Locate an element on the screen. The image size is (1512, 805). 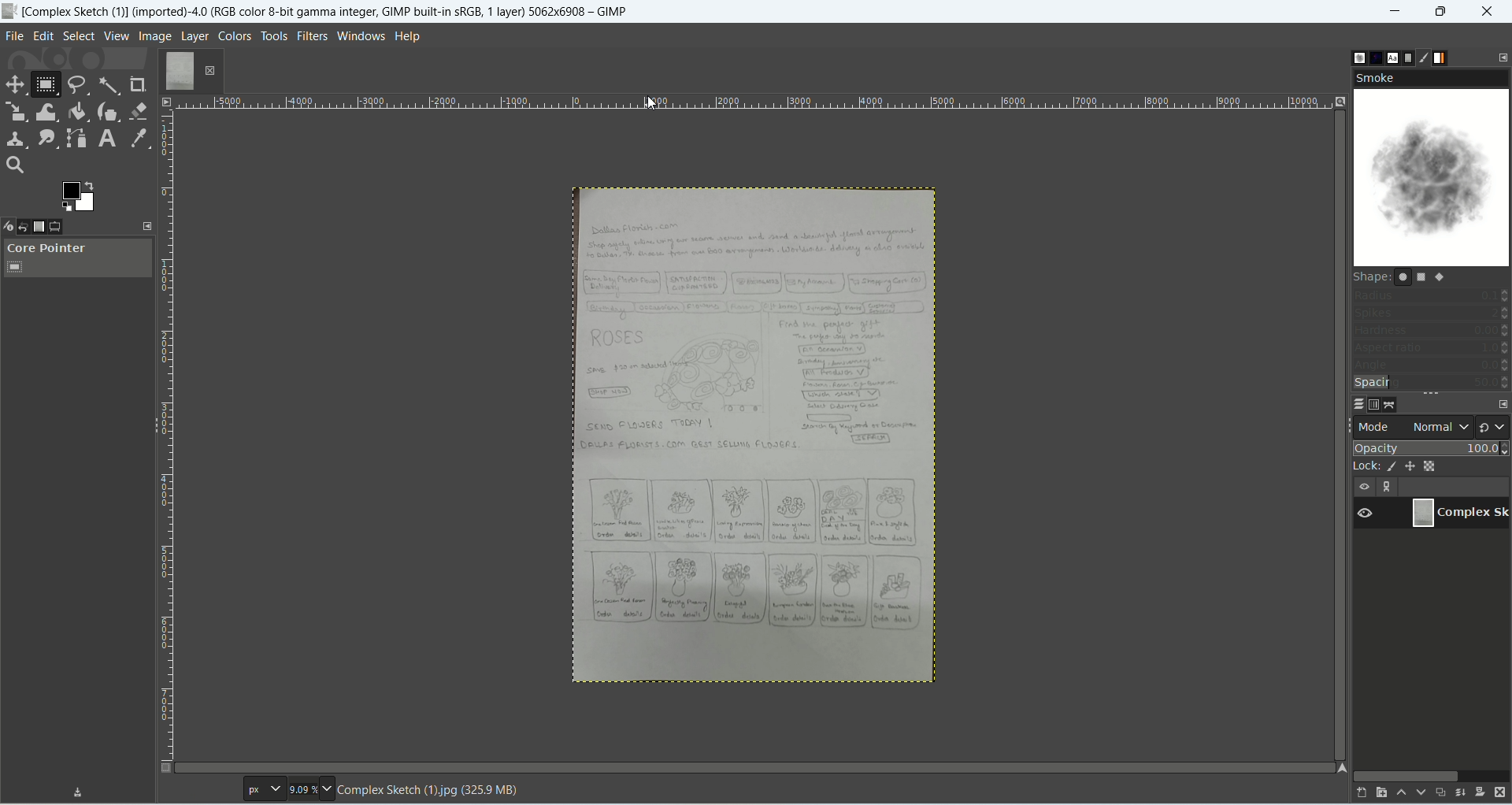
create a new layer is located at coordinates (1380, 793).